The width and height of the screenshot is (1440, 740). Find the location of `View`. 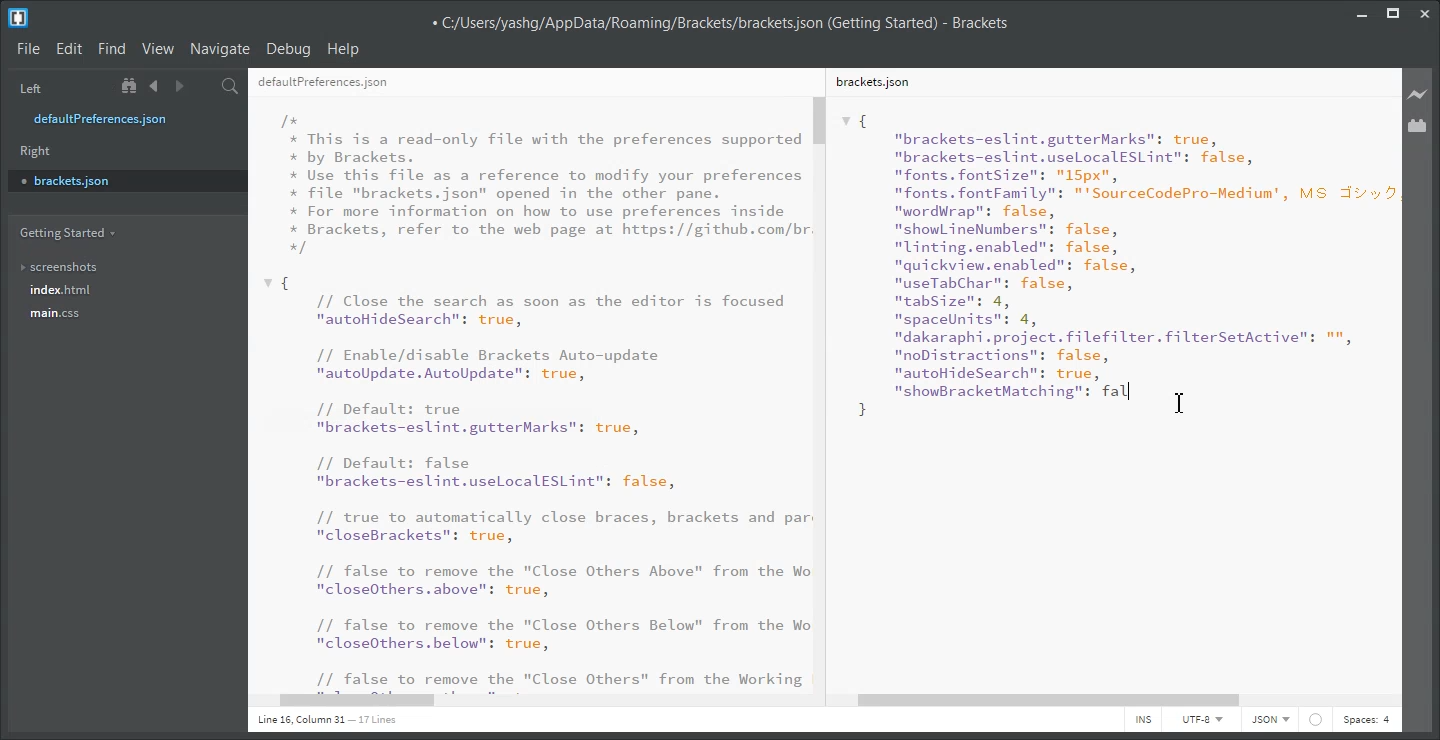

View is located at coordinates (158, 49).